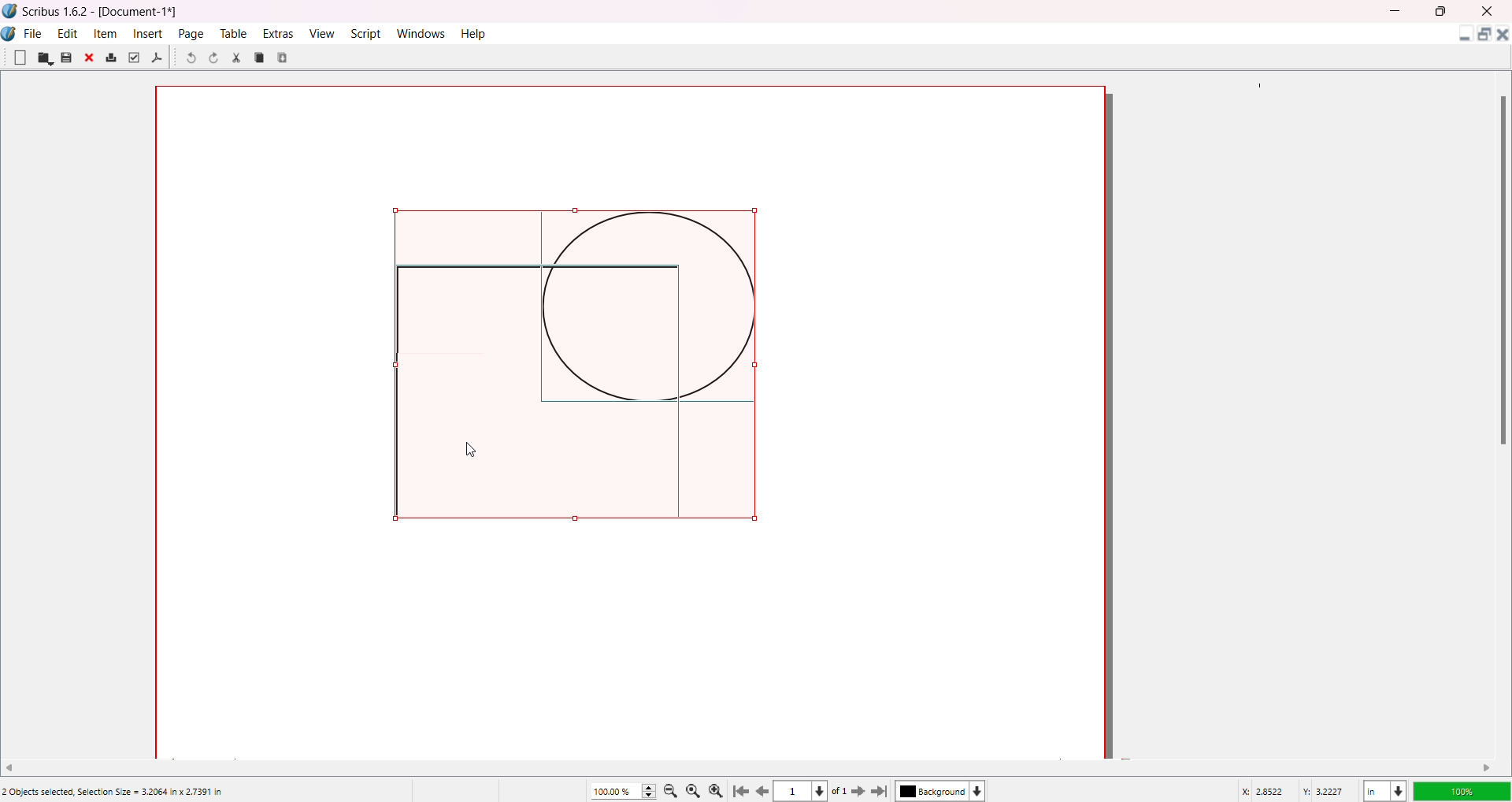  I want to click on Zoom Increase/Decrease, so click(651, 789).